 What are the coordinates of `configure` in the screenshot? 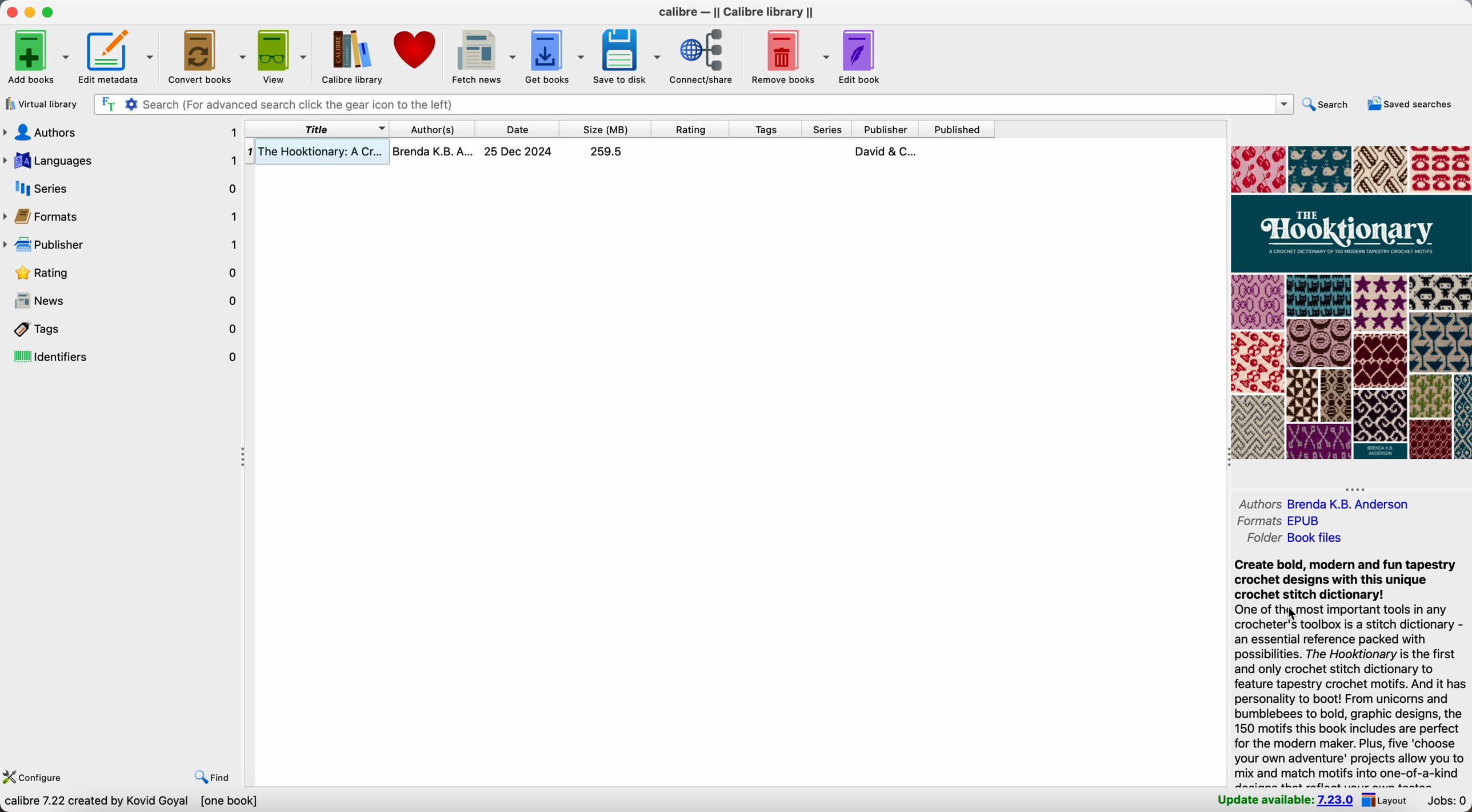 It's located at (38, 778).